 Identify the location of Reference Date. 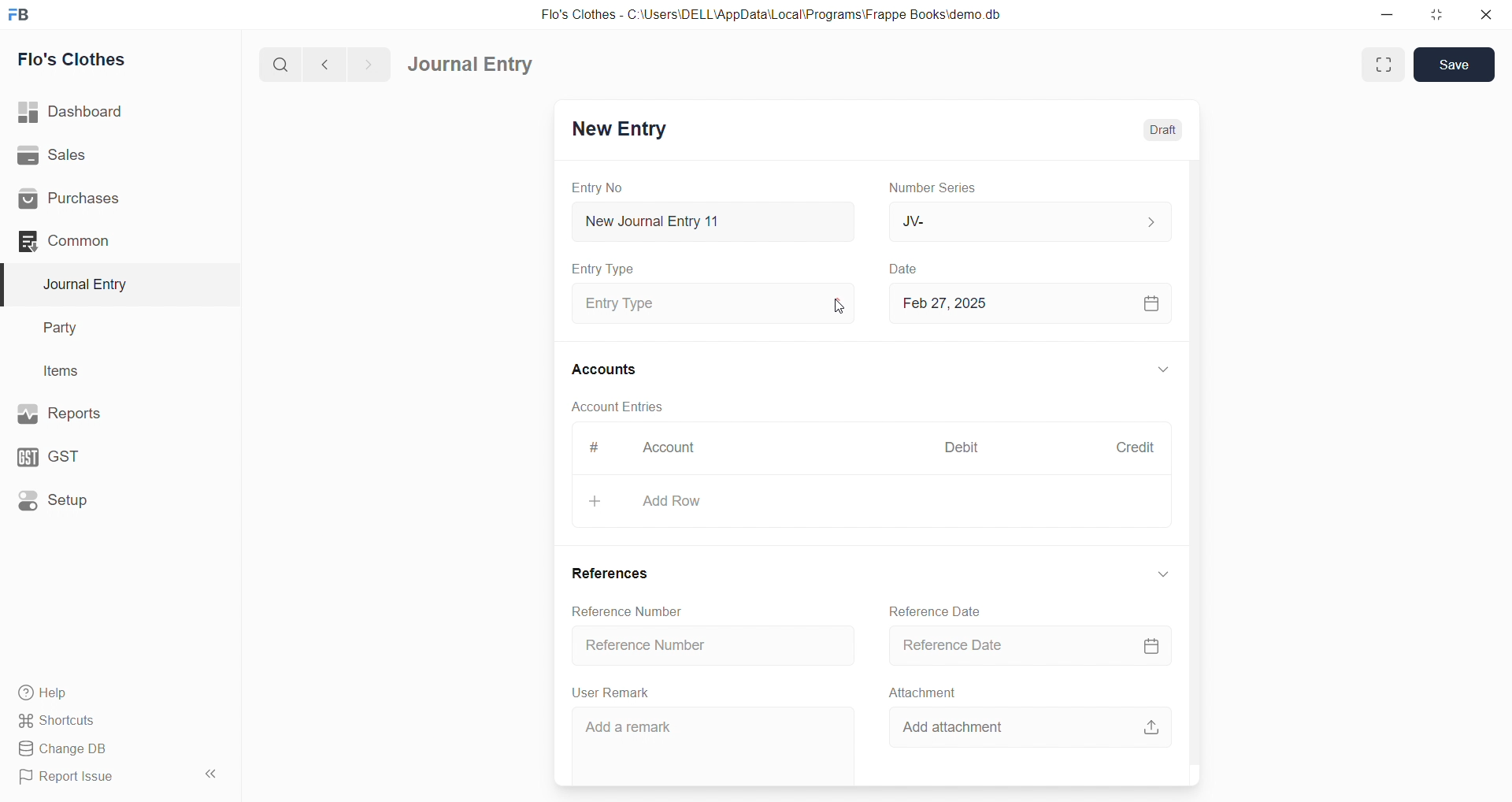
(935, 612).